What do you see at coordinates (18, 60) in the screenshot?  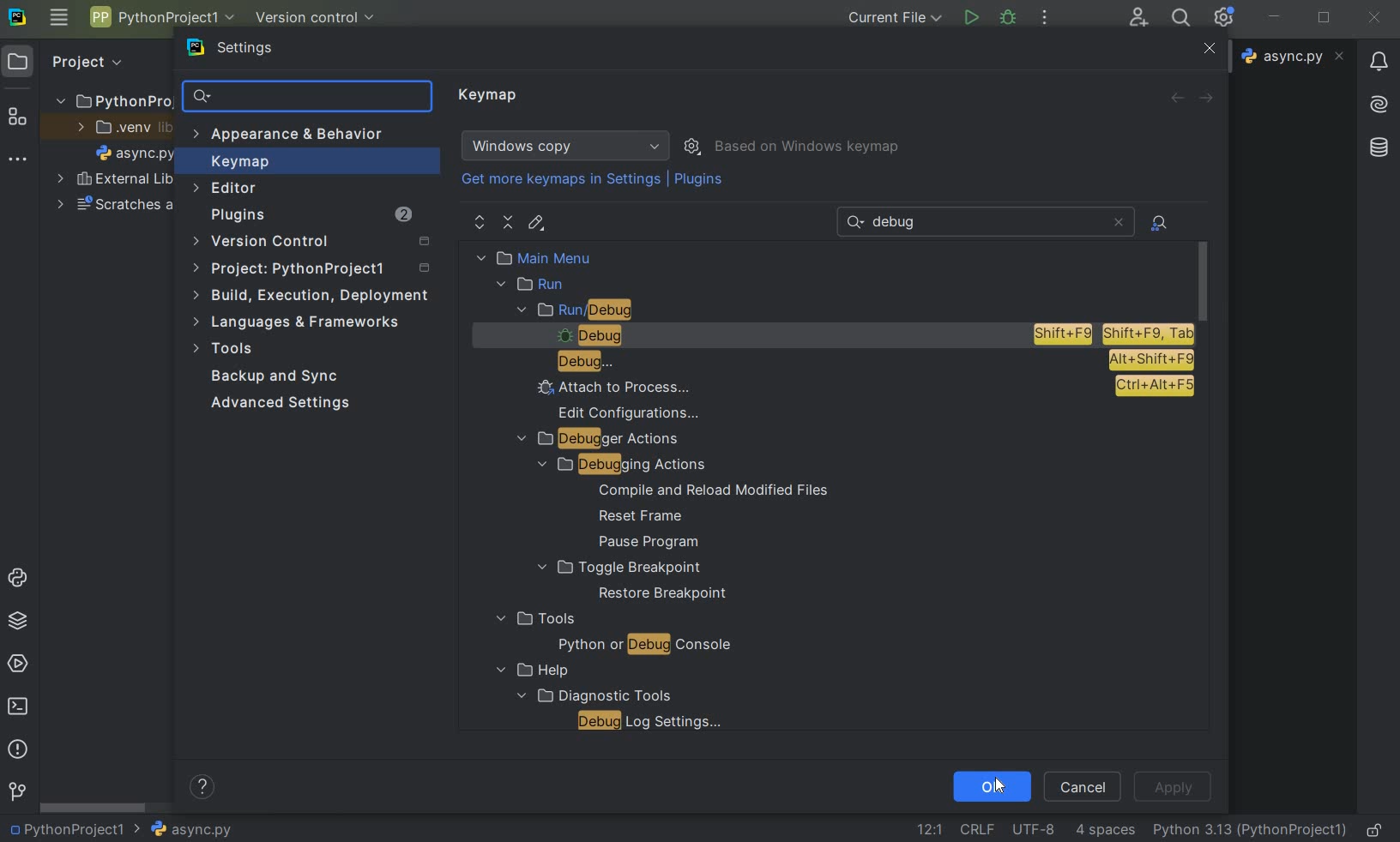 I see `project icon` at bounding box center [18, 60].